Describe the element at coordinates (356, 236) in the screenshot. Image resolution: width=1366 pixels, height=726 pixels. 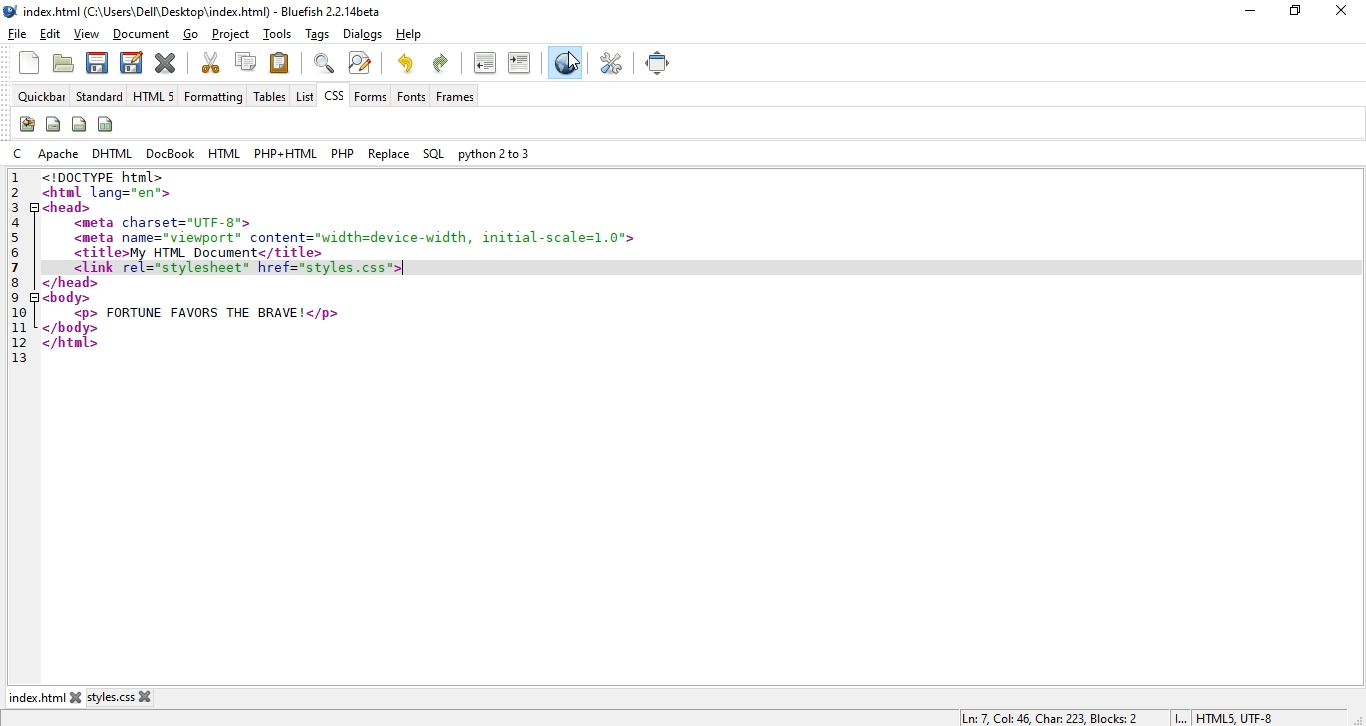
I see `<meta name="viewport" content="width=device-width. i1nitial-scale=1.0">` at that location.